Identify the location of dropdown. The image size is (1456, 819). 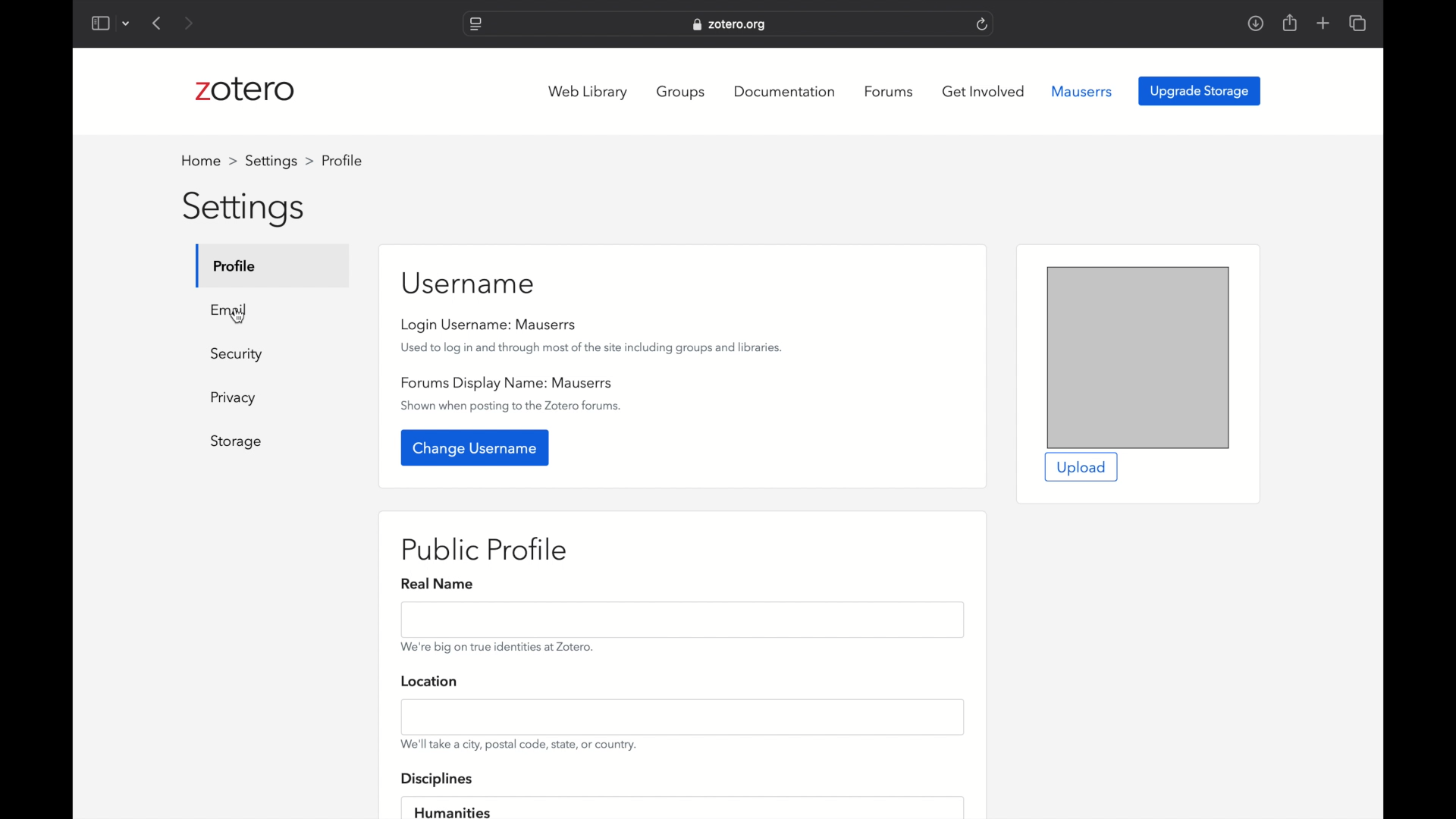
(127, 24).